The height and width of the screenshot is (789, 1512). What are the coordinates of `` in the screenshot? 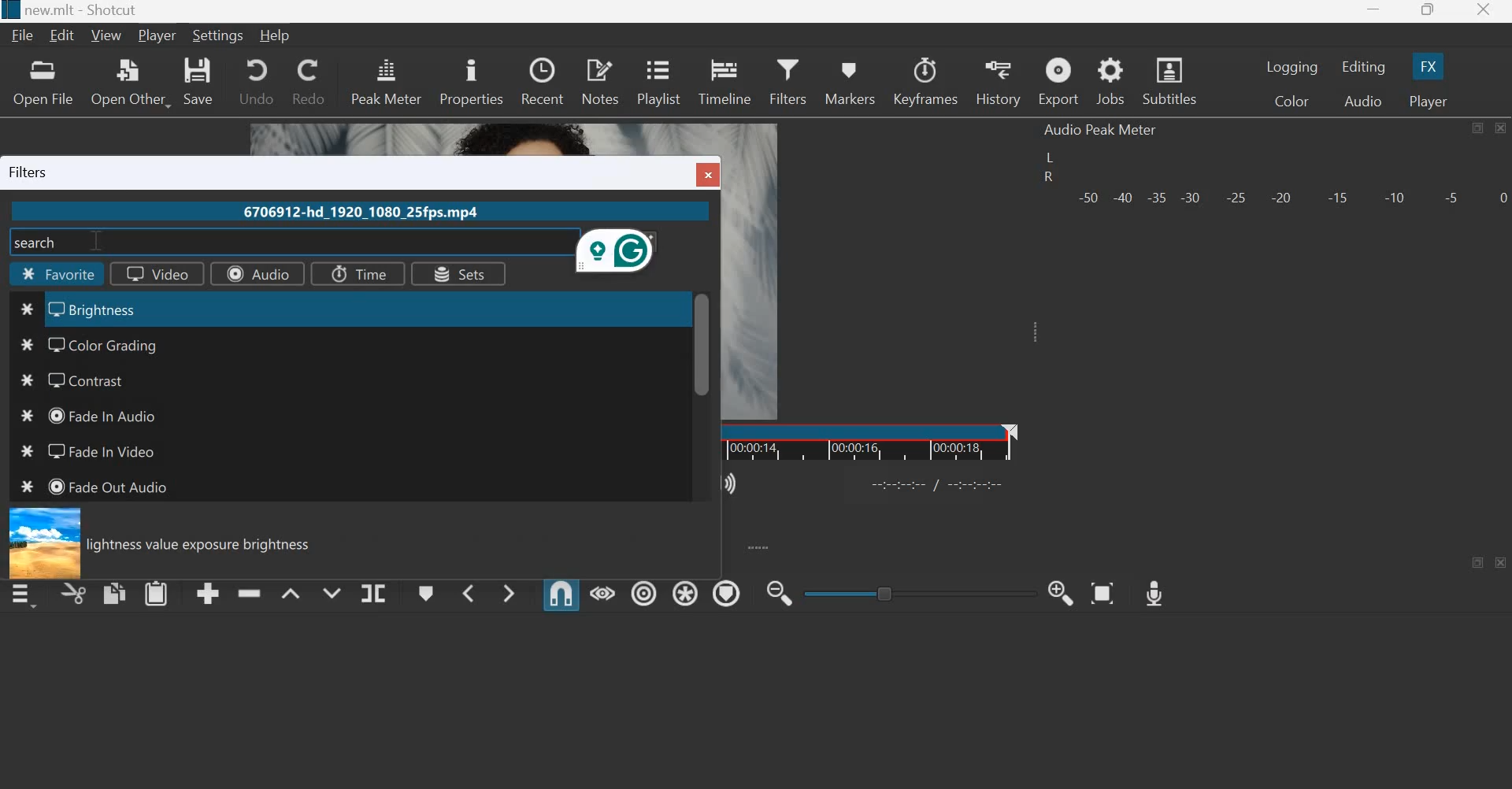 It's located at (28, 344).